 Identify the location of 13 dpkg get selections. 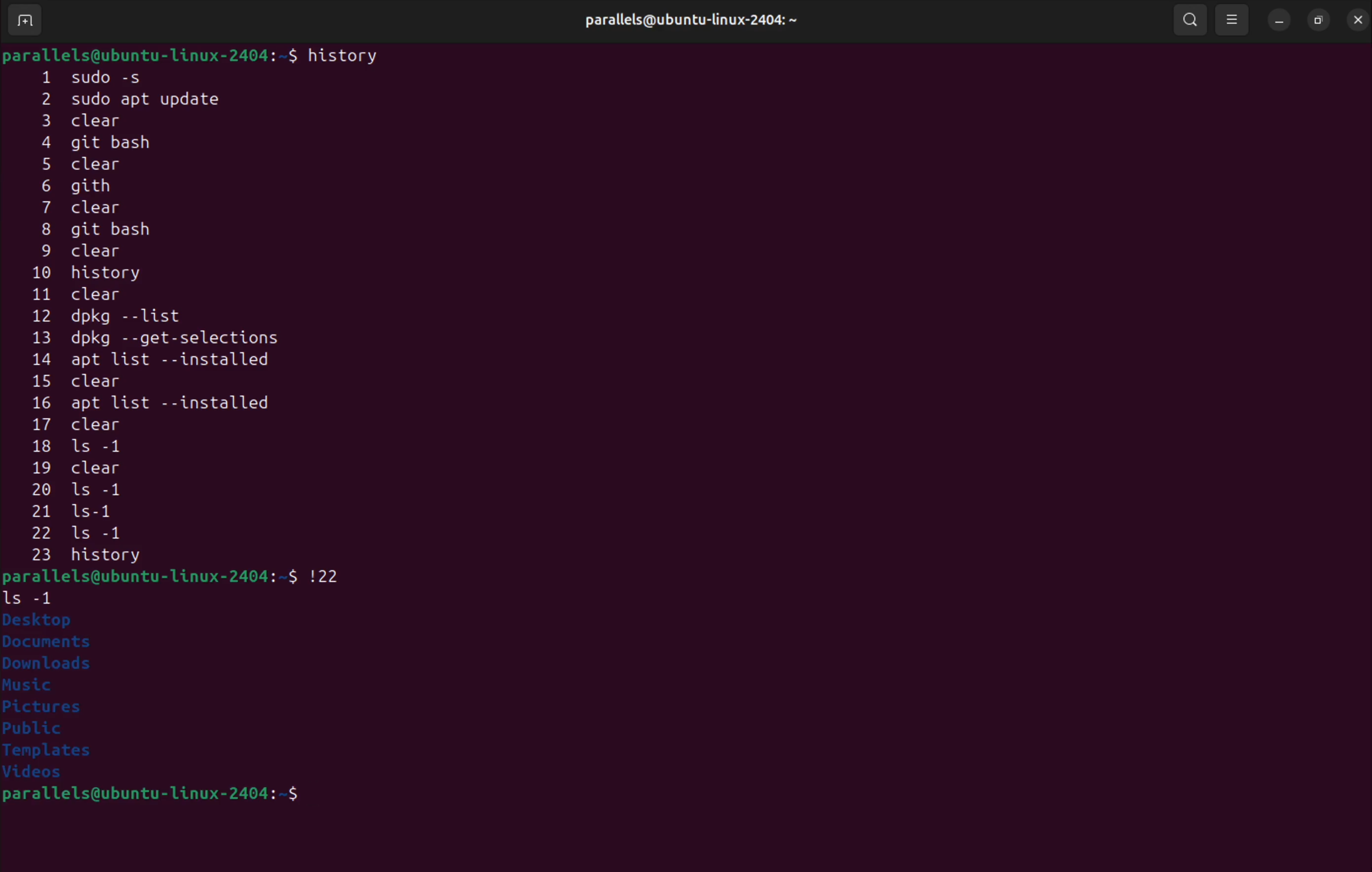
(179, 340).